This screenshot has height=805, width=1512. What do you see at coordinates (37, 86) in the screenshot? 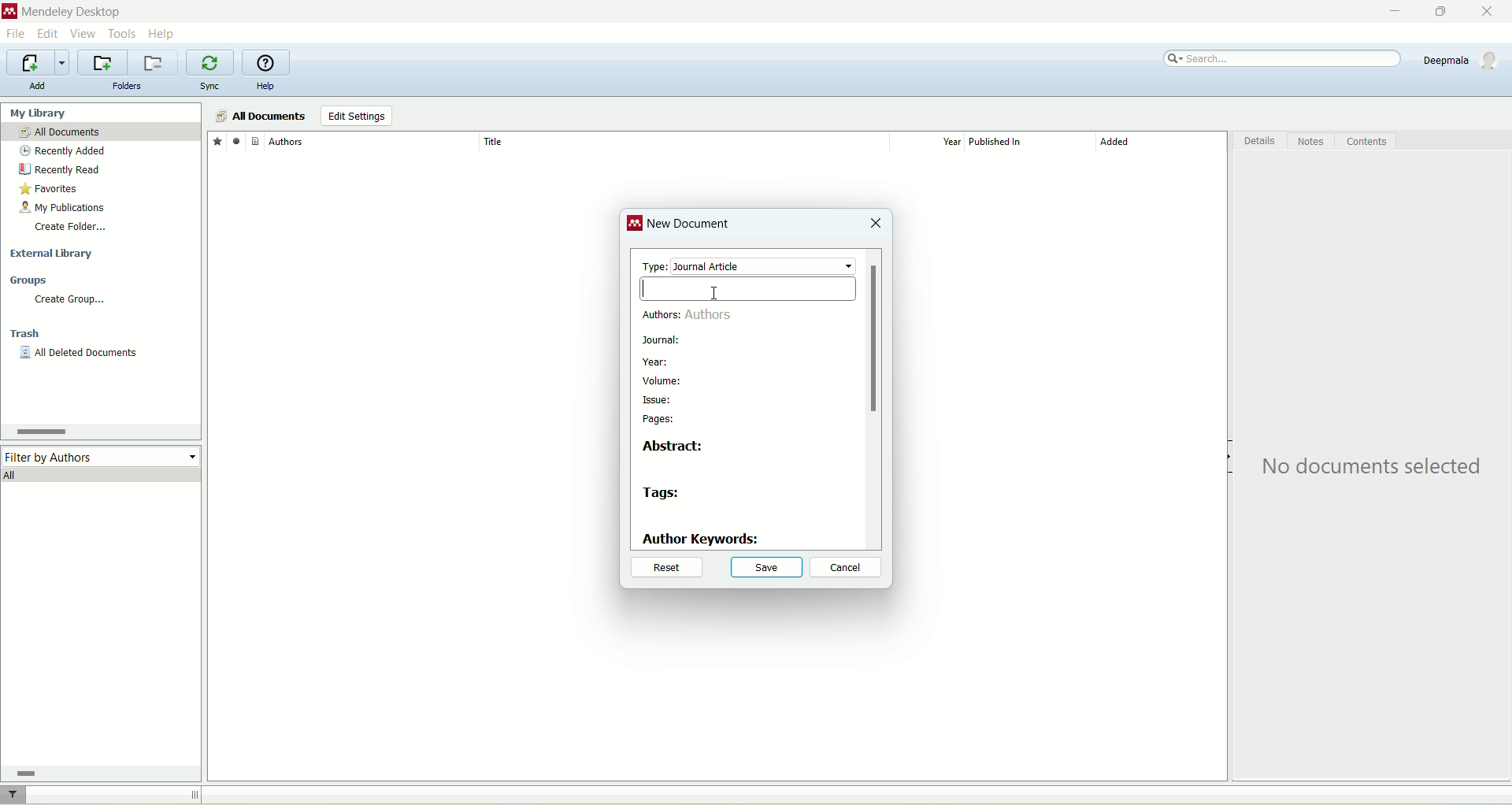
I see `add` at bounding box center [37, 86].